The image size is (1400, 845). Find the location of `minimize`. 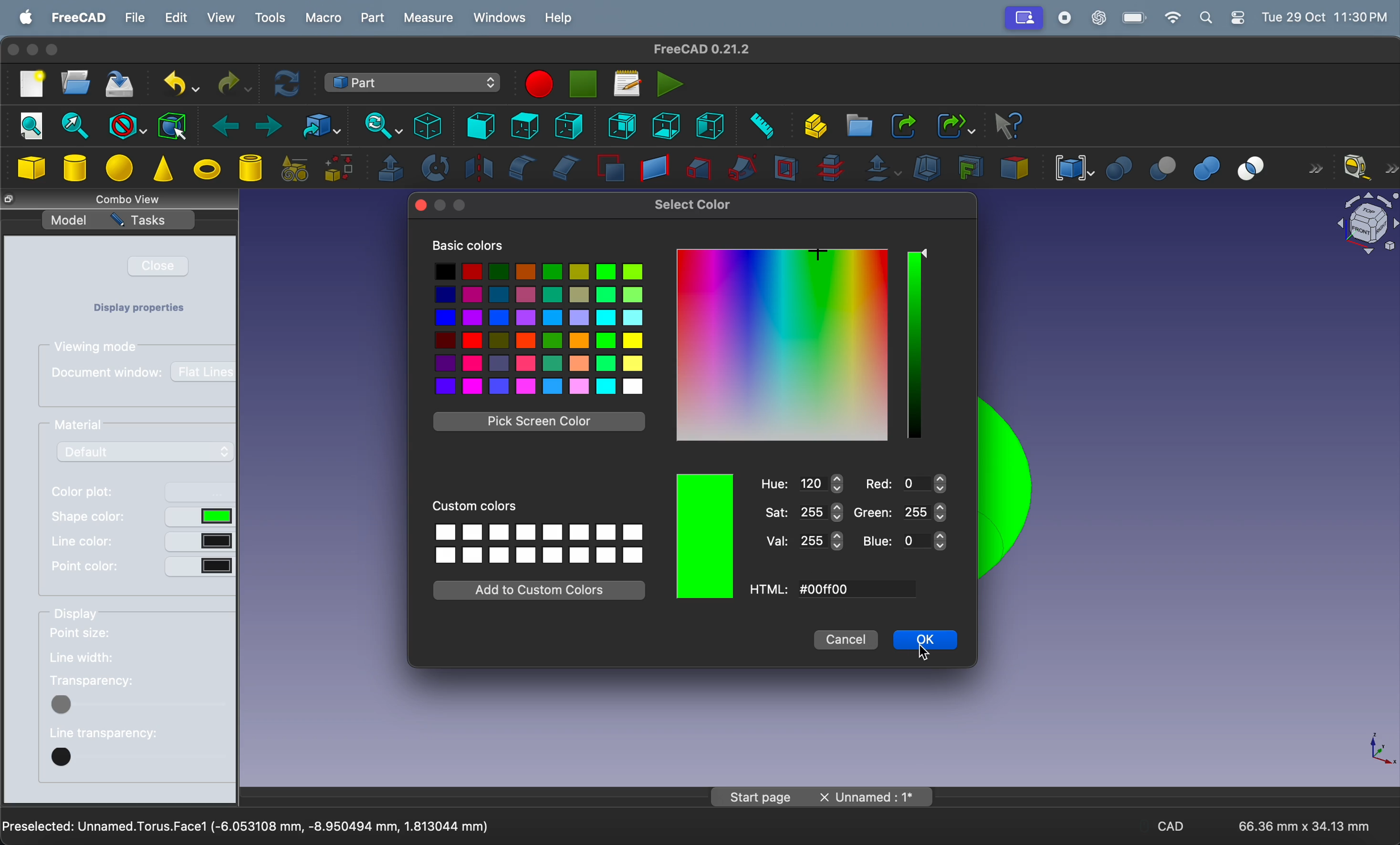

minimize is located at coordinates (33, 49).